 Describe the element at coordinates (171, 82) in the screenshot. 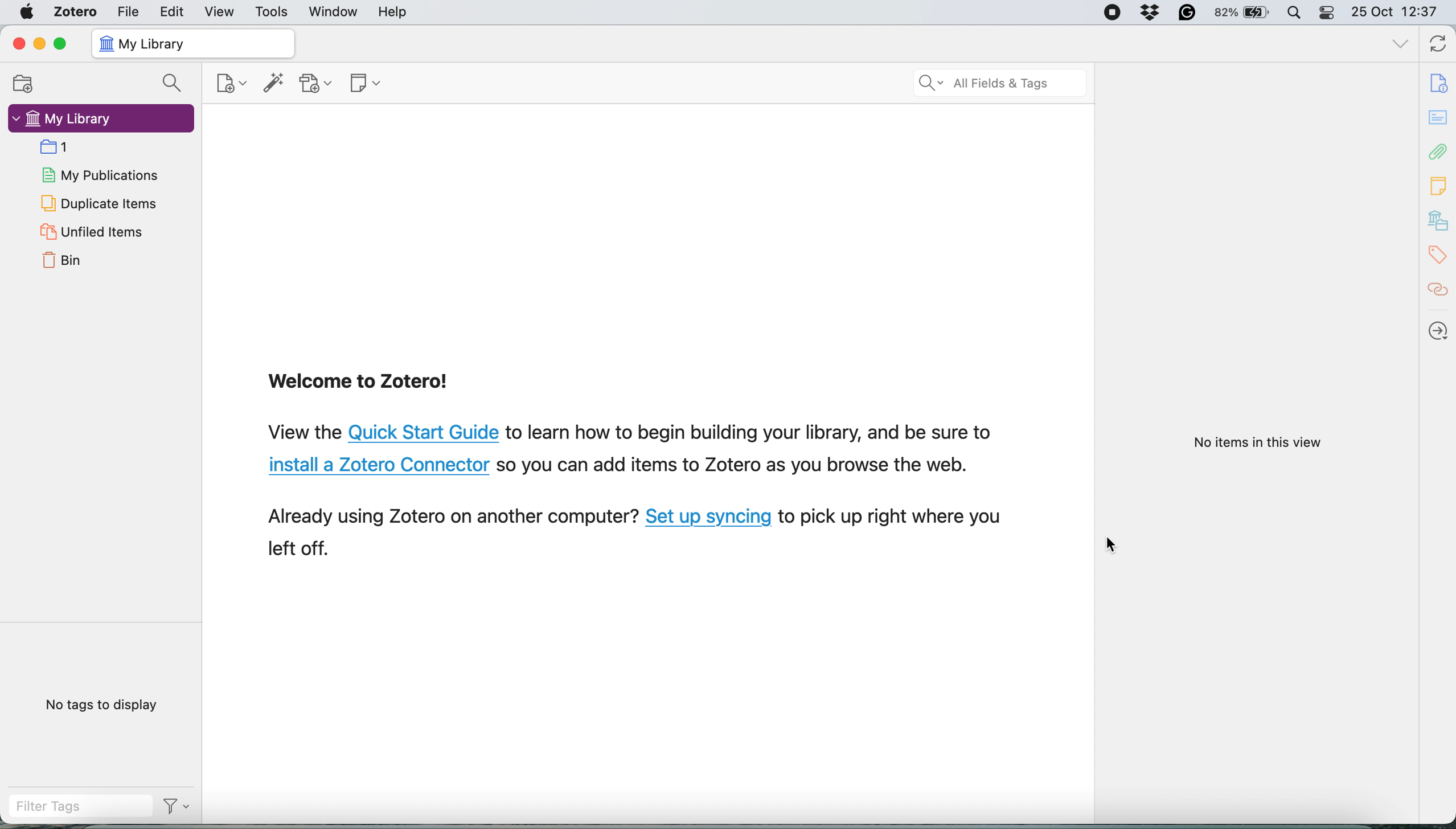

I see `search` at that location.